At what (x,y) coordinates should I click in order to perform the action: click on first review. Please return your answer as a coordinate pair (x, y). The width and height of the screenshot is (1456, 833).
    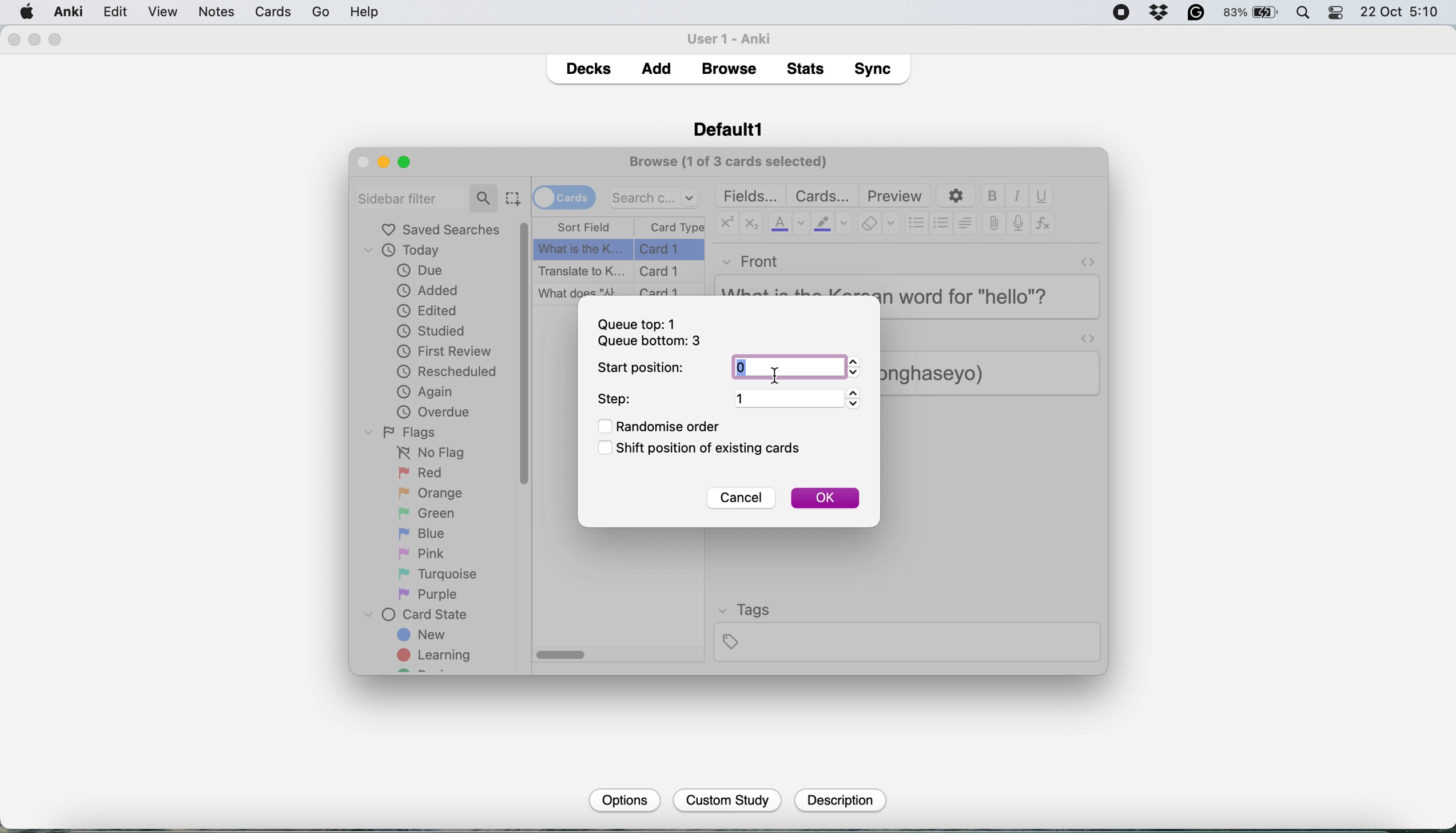
    Looking at the image, I should click on (444, 353).